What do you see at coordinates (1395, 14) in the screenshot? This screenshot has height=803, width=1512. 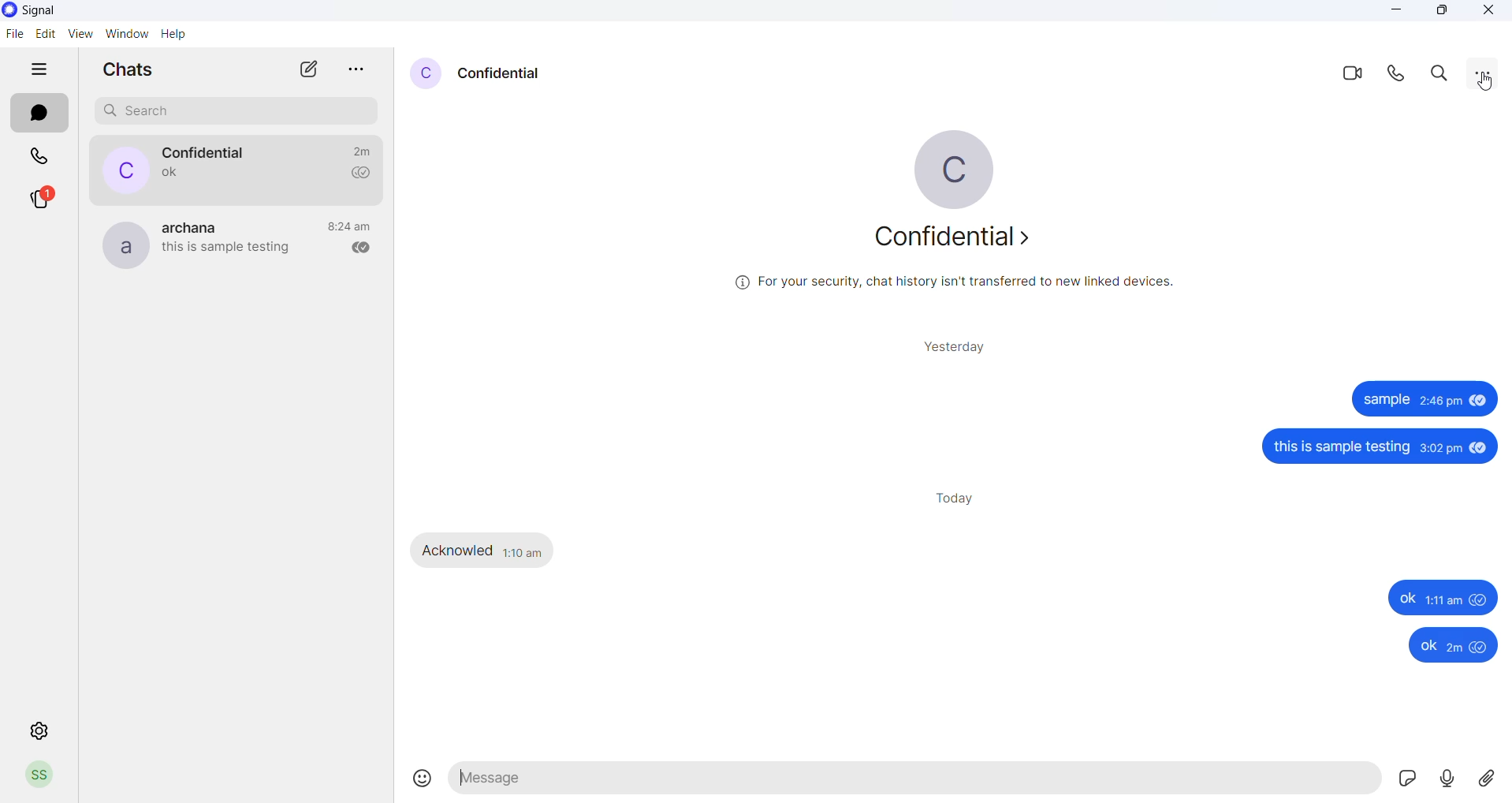 I see `minimize` at bounding box center [1395, 14].